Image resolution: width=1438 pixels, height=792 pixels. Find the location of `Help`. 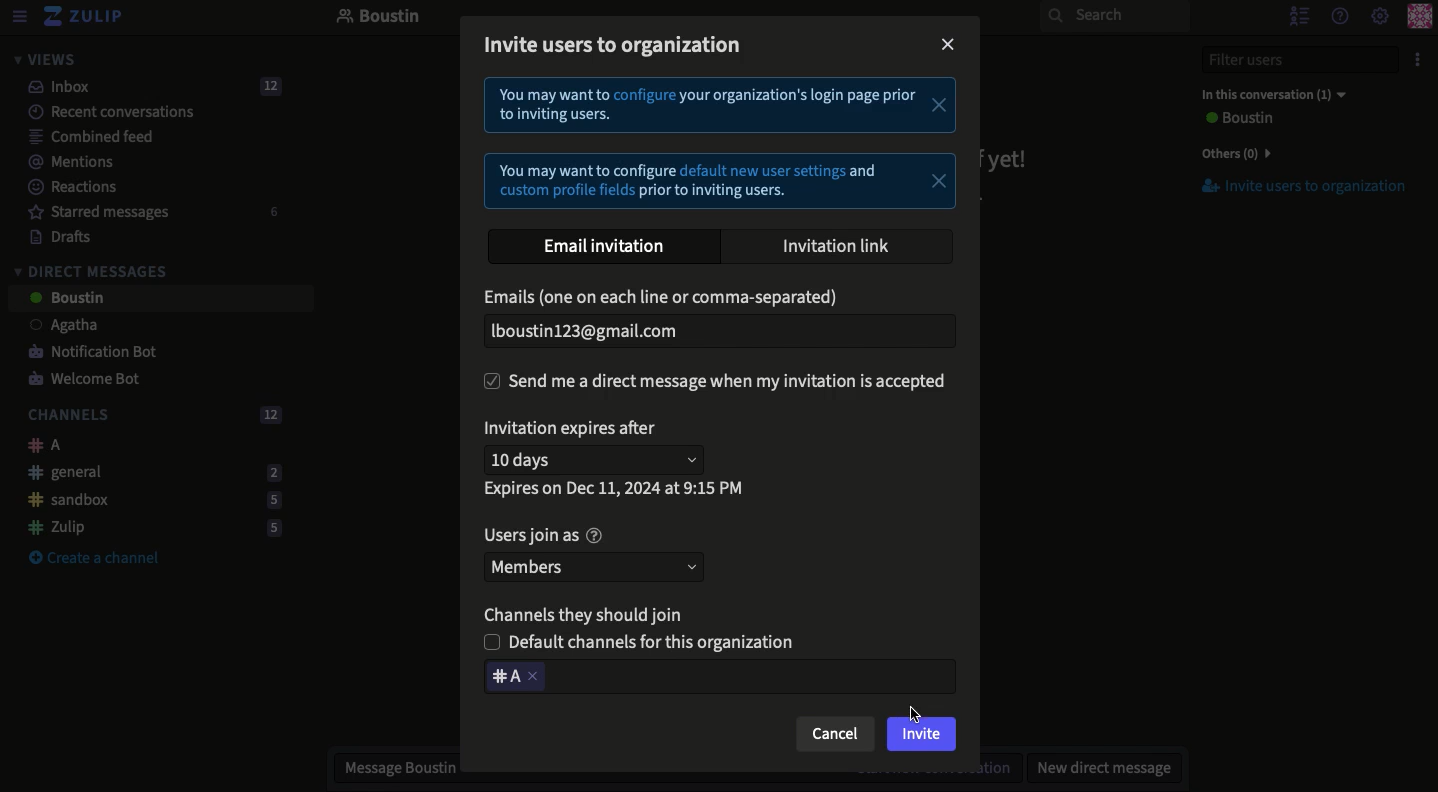

Help is located at coordinates (1338, 15).